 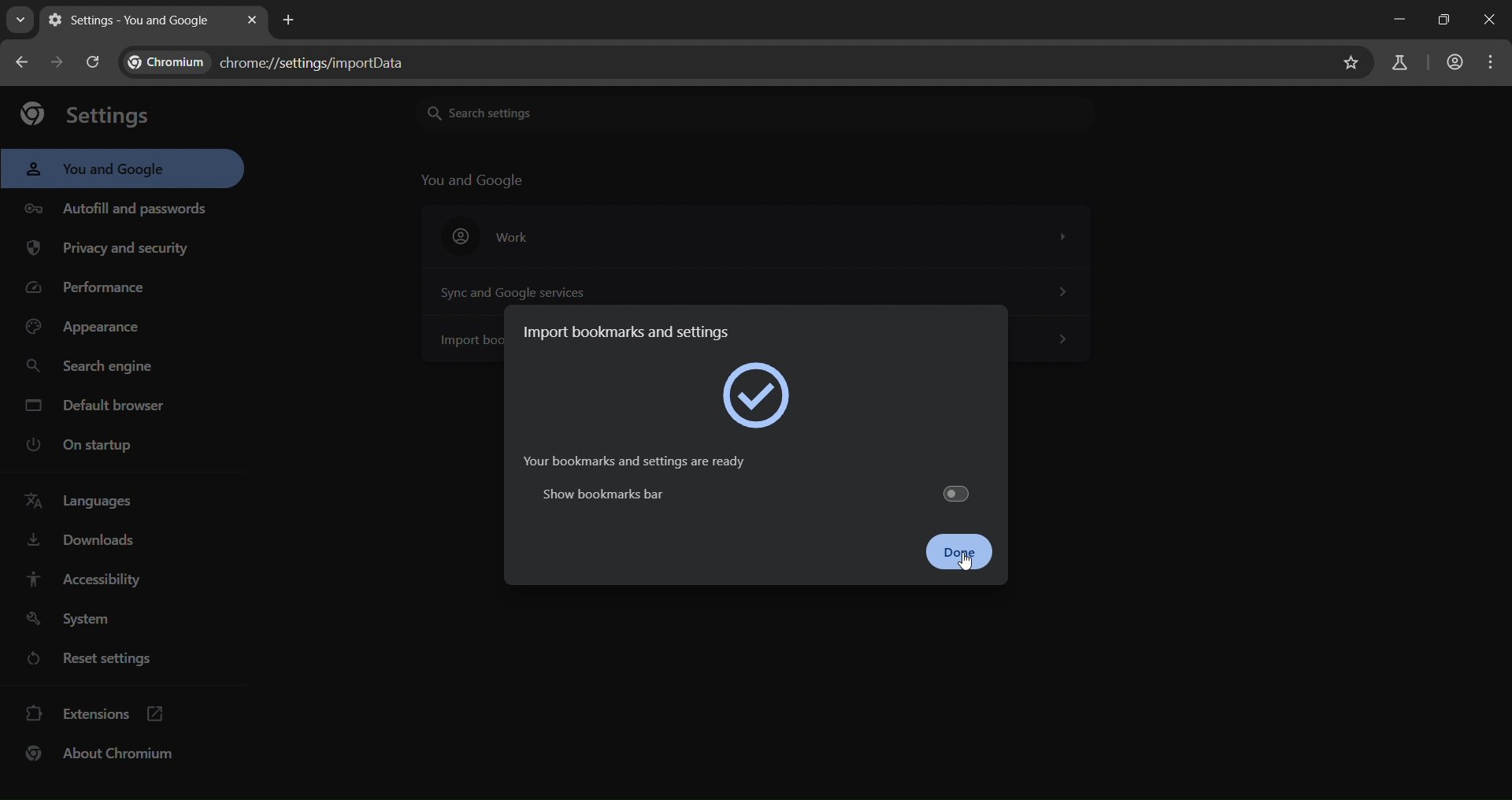 What do you see at coordinates (752, 493) in the screenshot?
I see `showbookmarks bar` at bounding box center [752, 493].